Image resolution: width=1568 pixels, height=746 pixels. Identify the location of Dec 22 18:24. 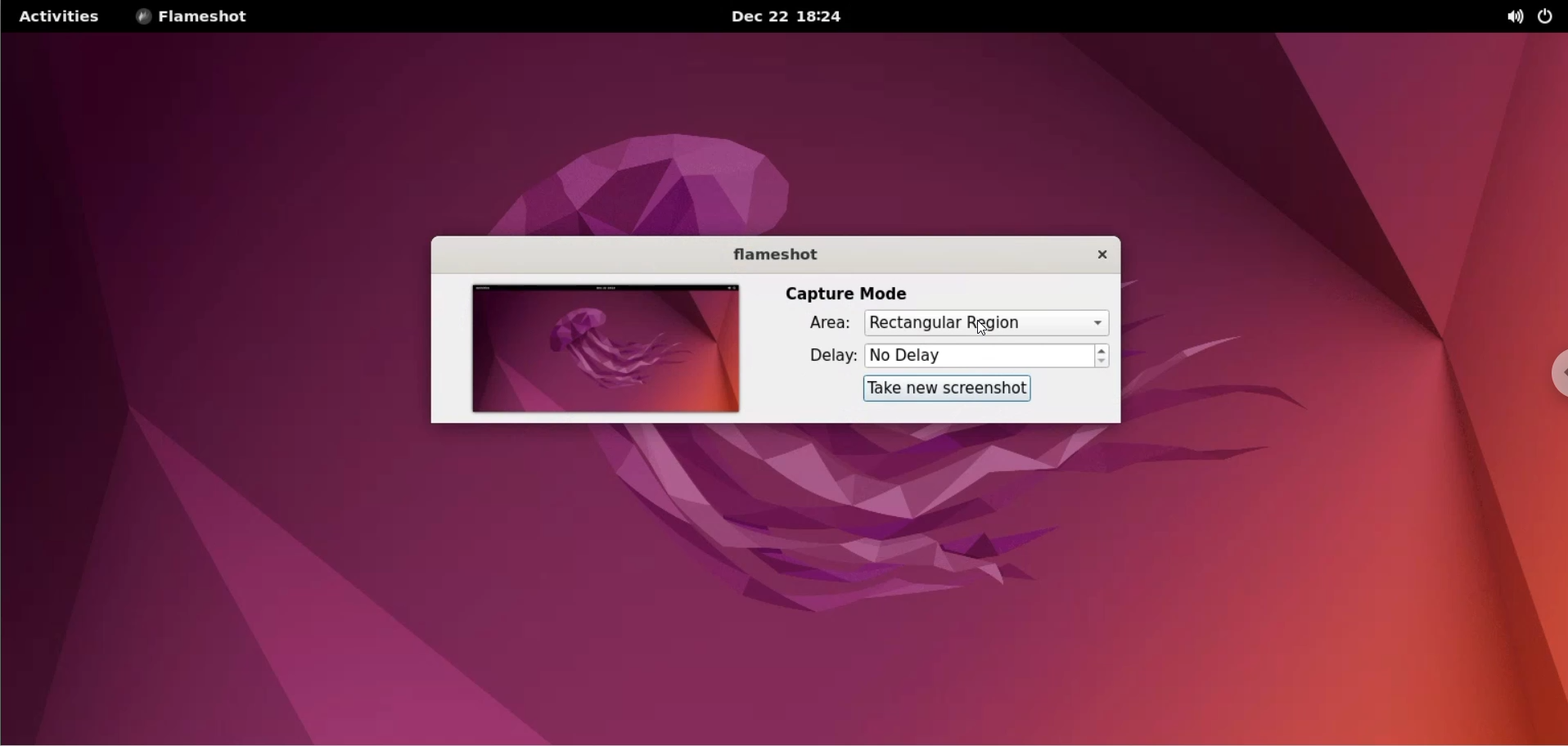
(781, 16).